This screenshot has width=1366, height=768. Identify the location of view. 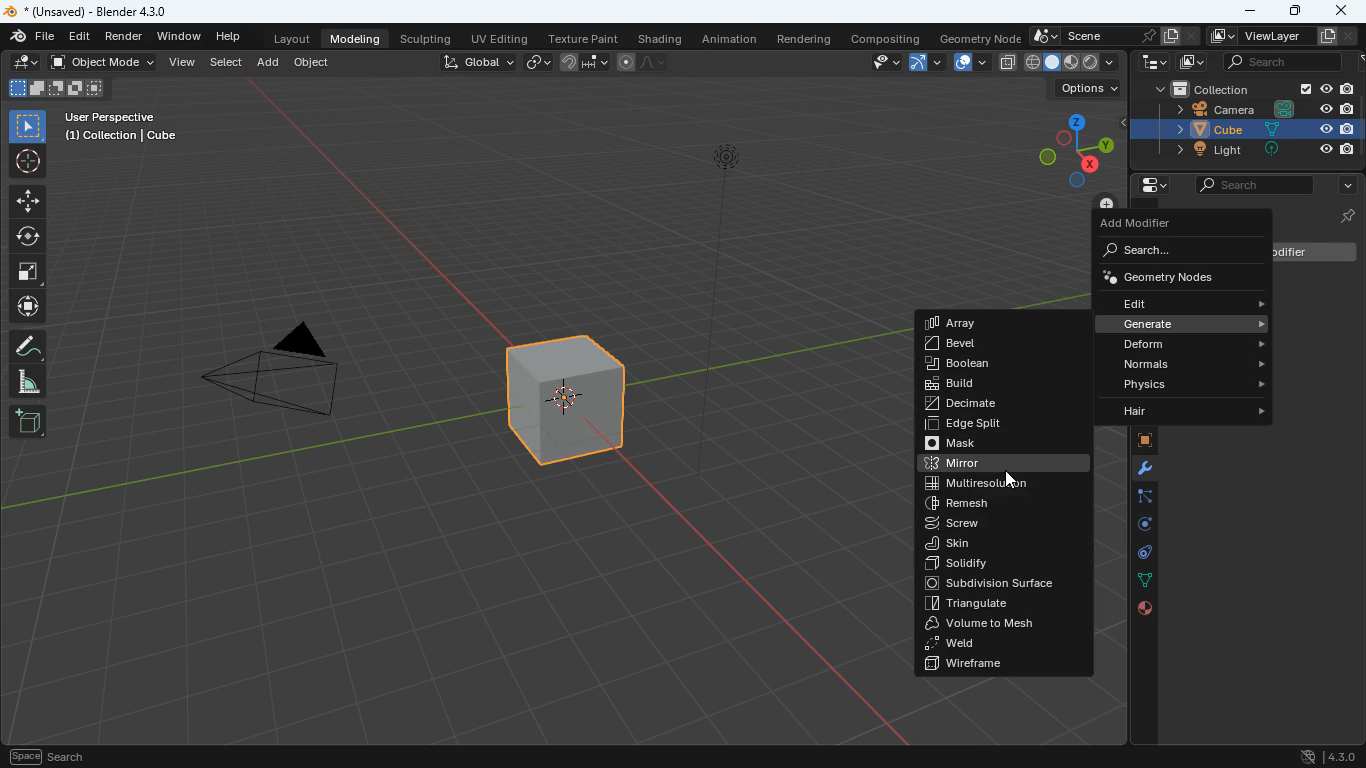
(880, 63).